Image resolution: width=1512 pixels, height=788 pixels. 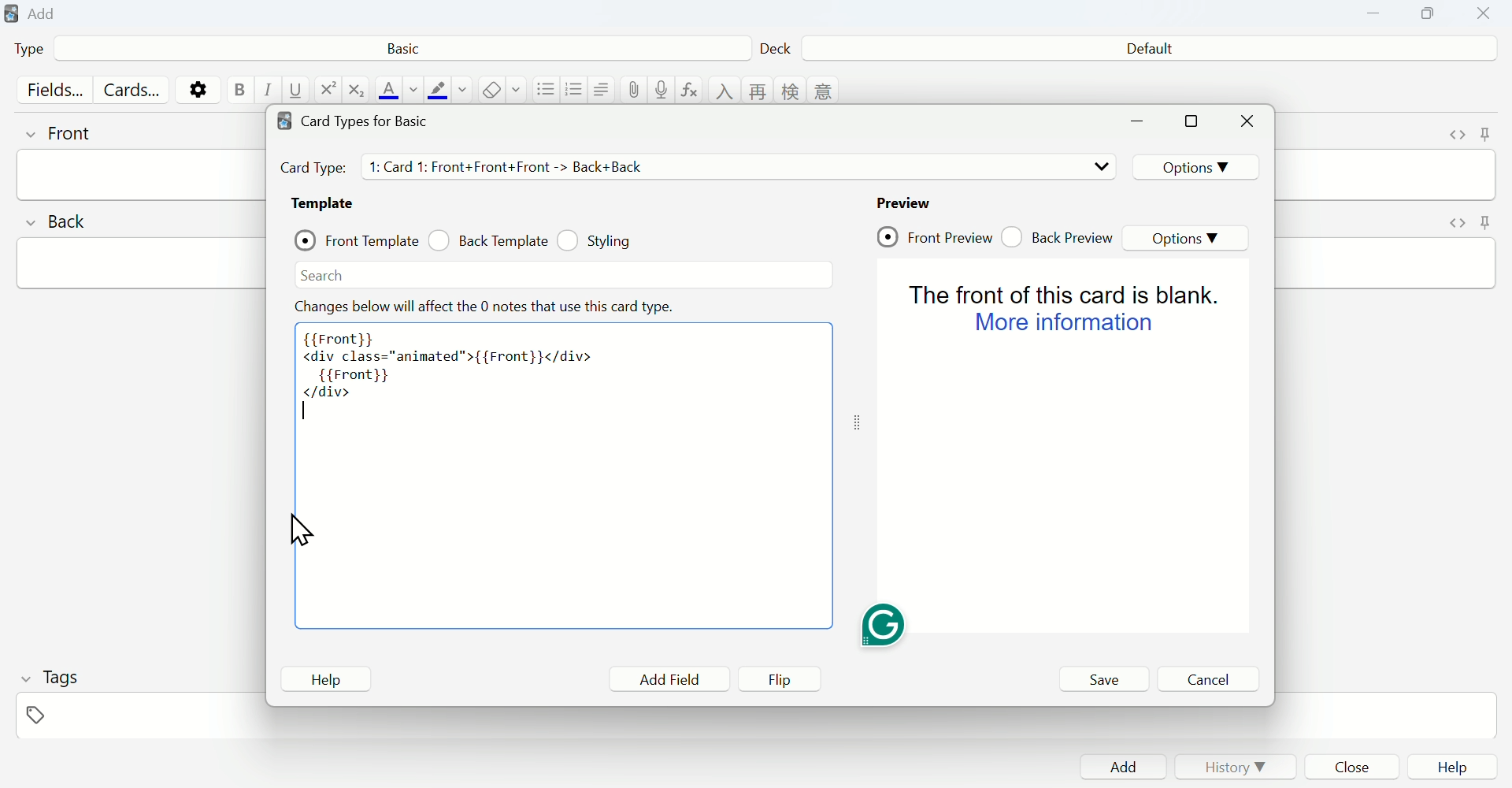 What do you see at coordinates (438, 90) in the screenshot?
I see `text highlight color` at bounding box center [438, 90].